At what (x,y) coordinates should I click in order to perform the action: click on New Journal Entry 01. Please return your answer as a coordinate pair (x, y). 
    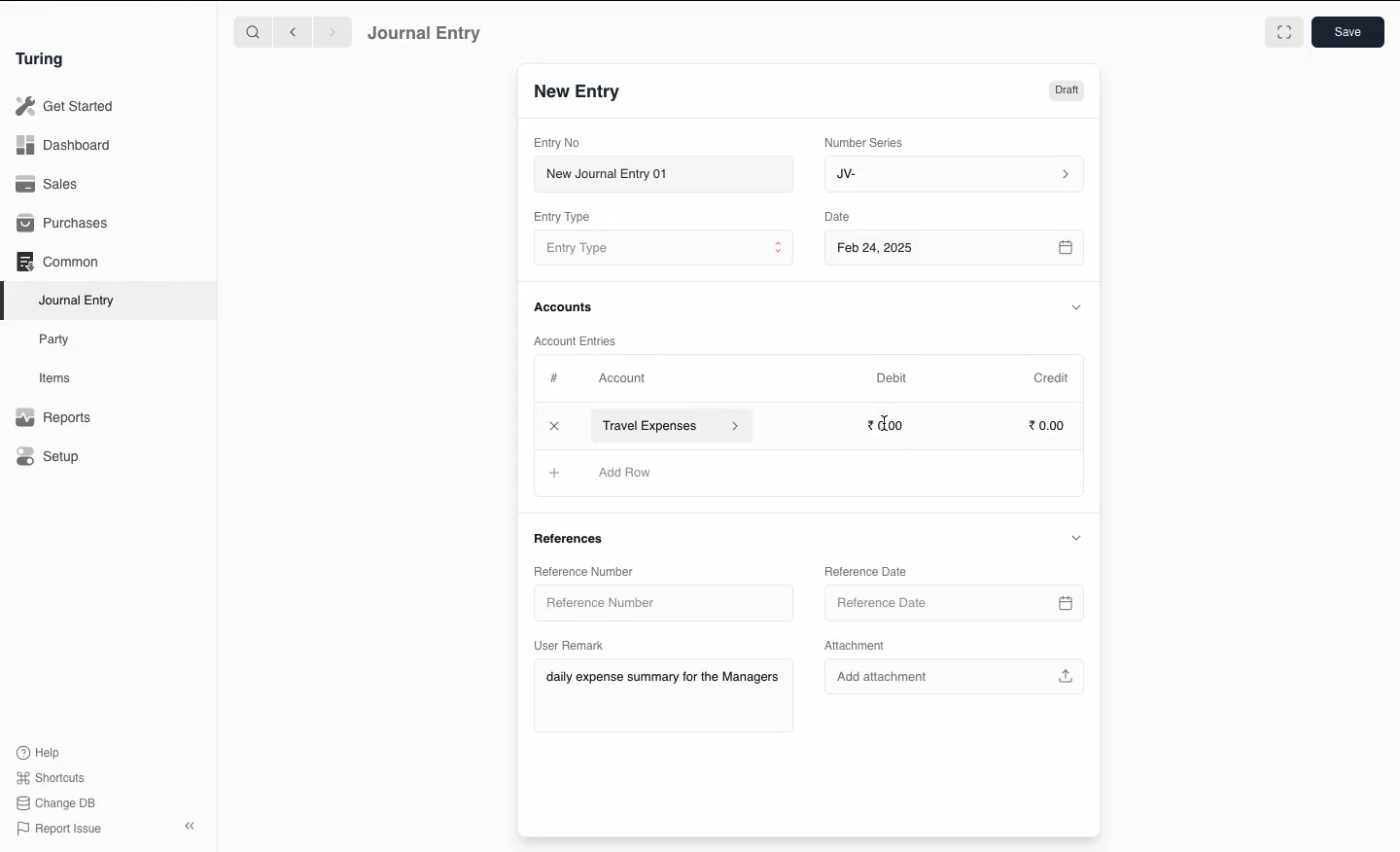
    Looking at the image, I should click on (662, 173).